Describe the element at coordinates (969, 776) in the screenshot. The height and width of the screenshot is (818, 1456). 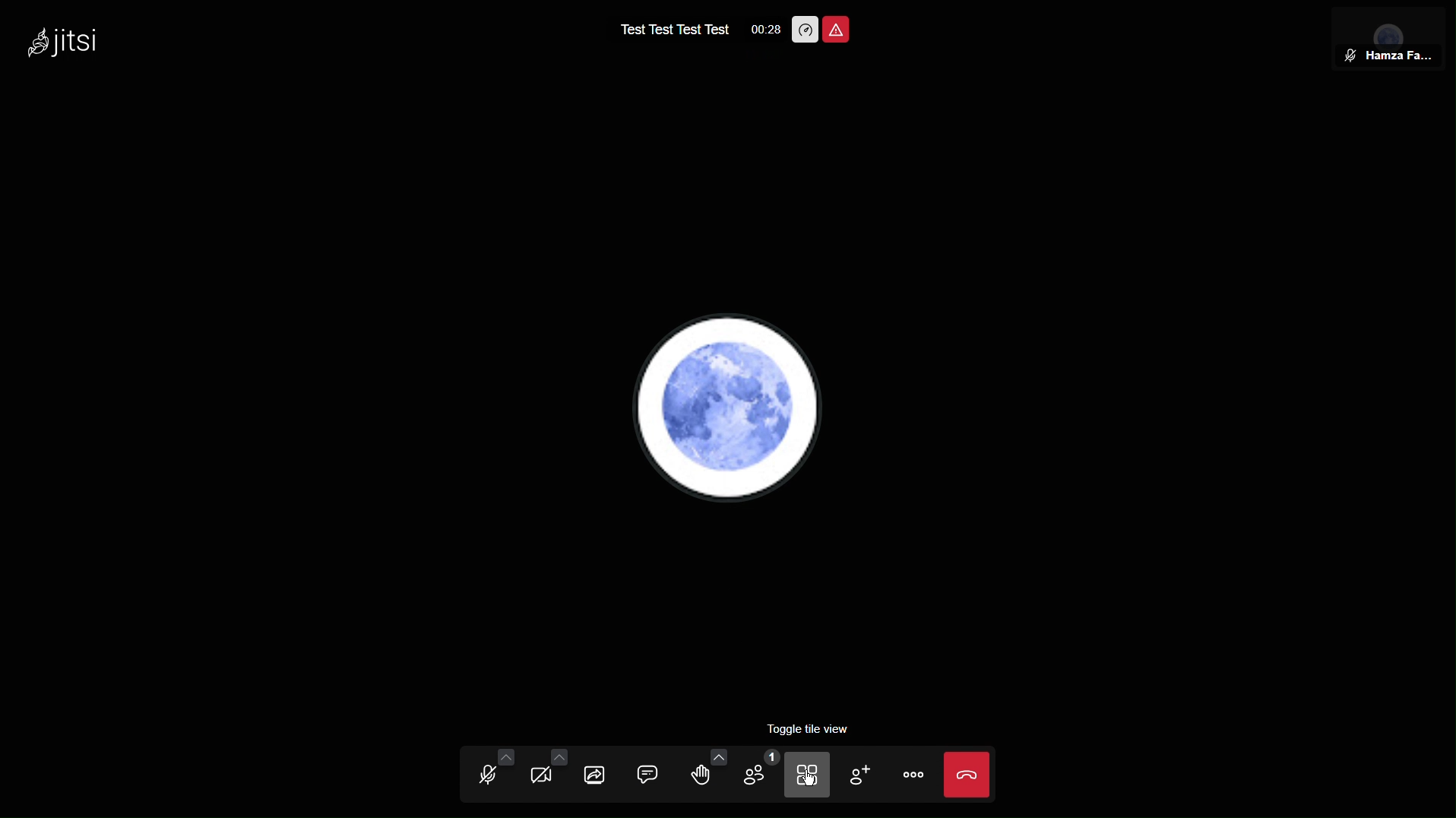
I see `Close` at that location.